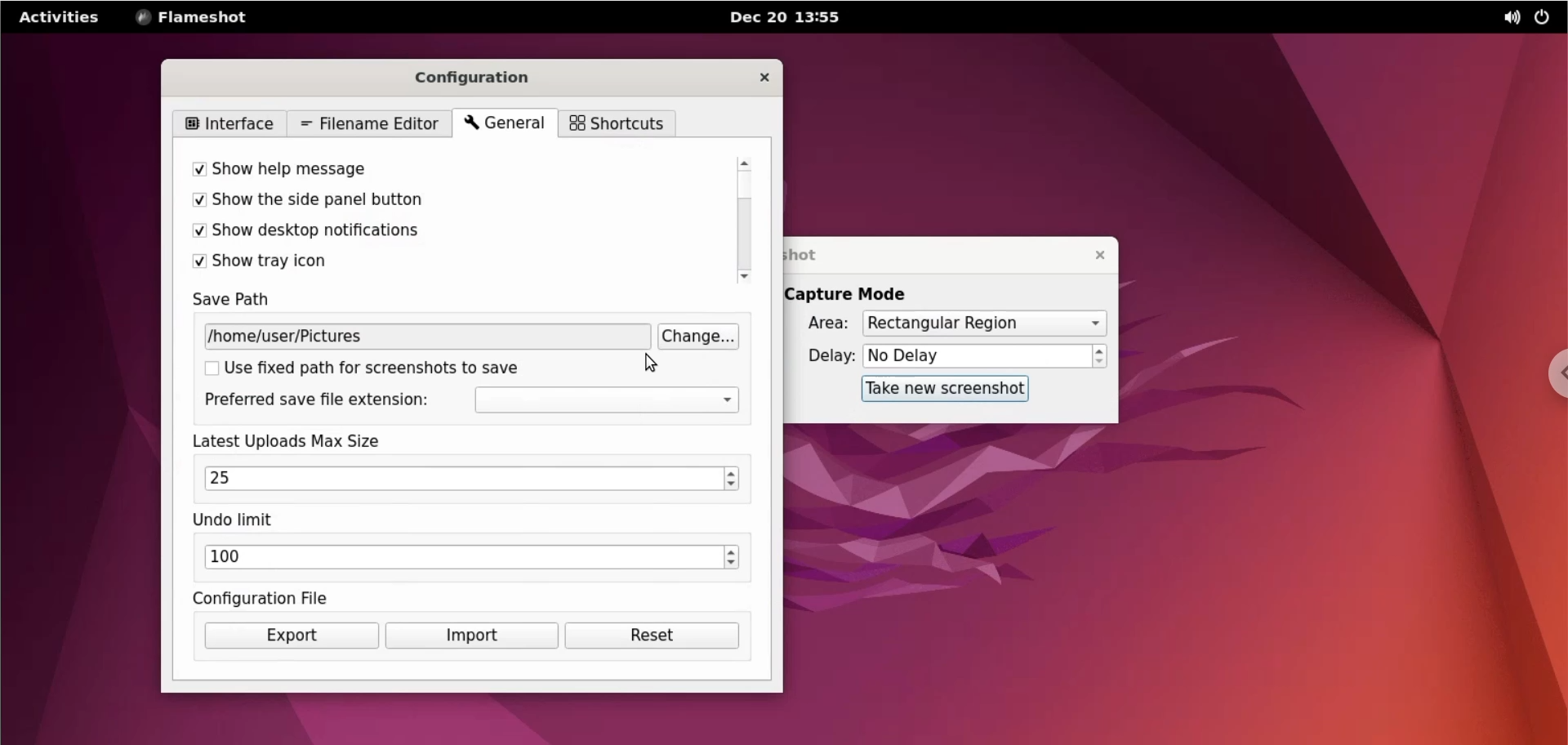 The image size is (1568, 745). What do you see at coordinates (228, 123) in the screenshot?
I see `interface` at bounding box center [228, 123].